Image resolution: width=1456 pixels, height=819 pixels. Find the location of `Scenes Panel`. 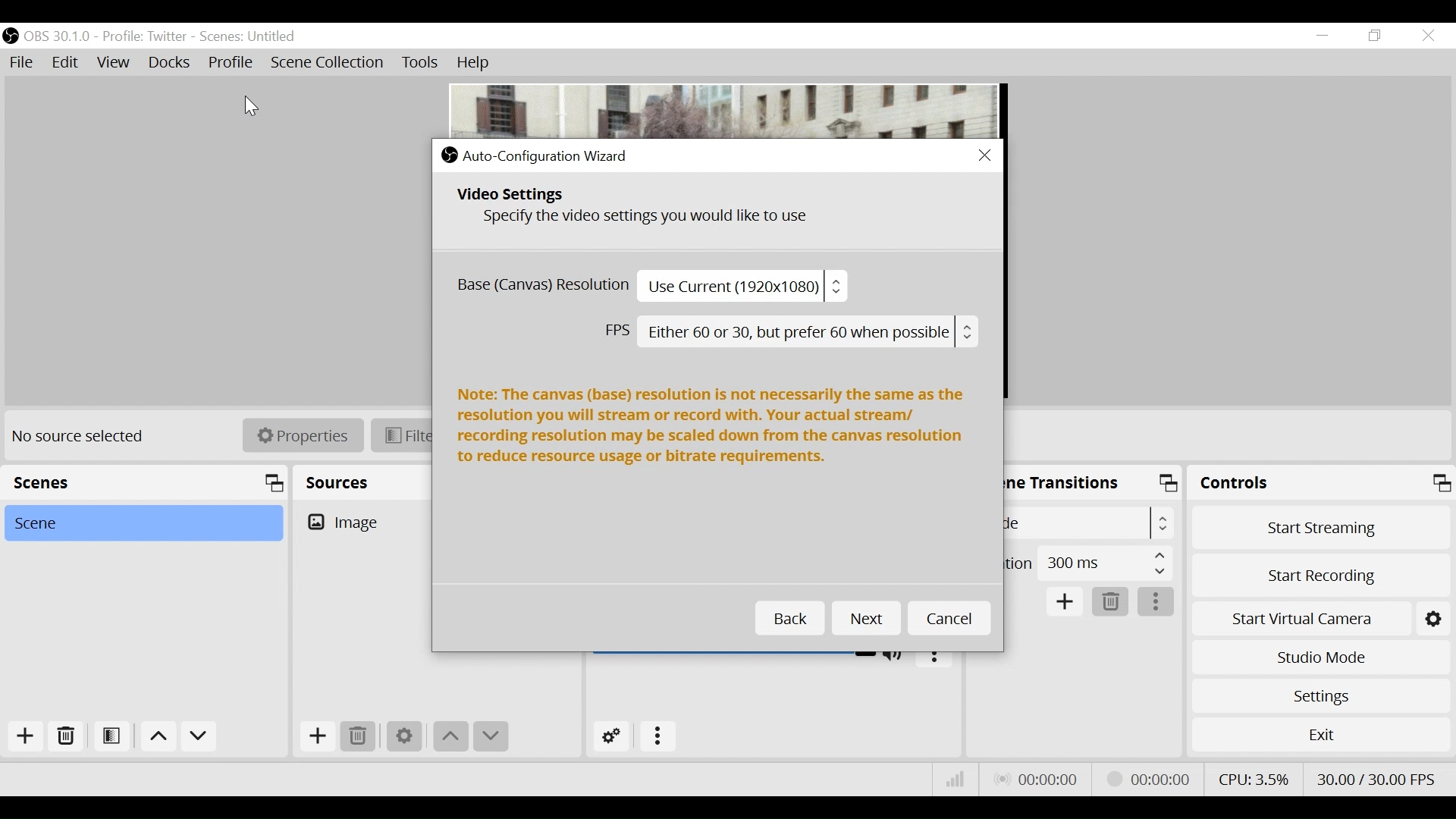

Scenes Panel is located at coordinates (144, 482).